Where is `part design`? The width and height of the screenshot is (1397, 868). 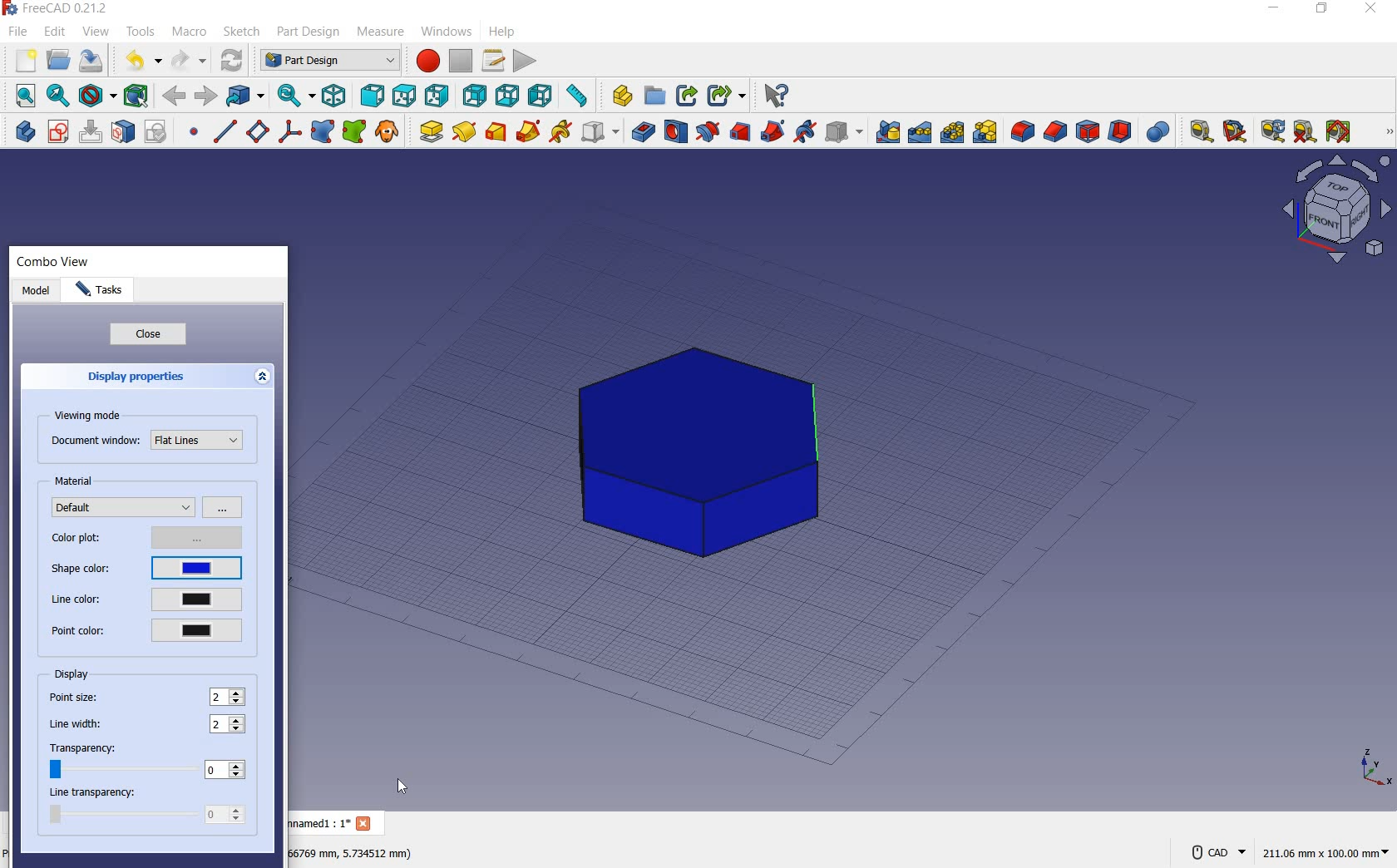
part design is located at coordinates (308, 32).